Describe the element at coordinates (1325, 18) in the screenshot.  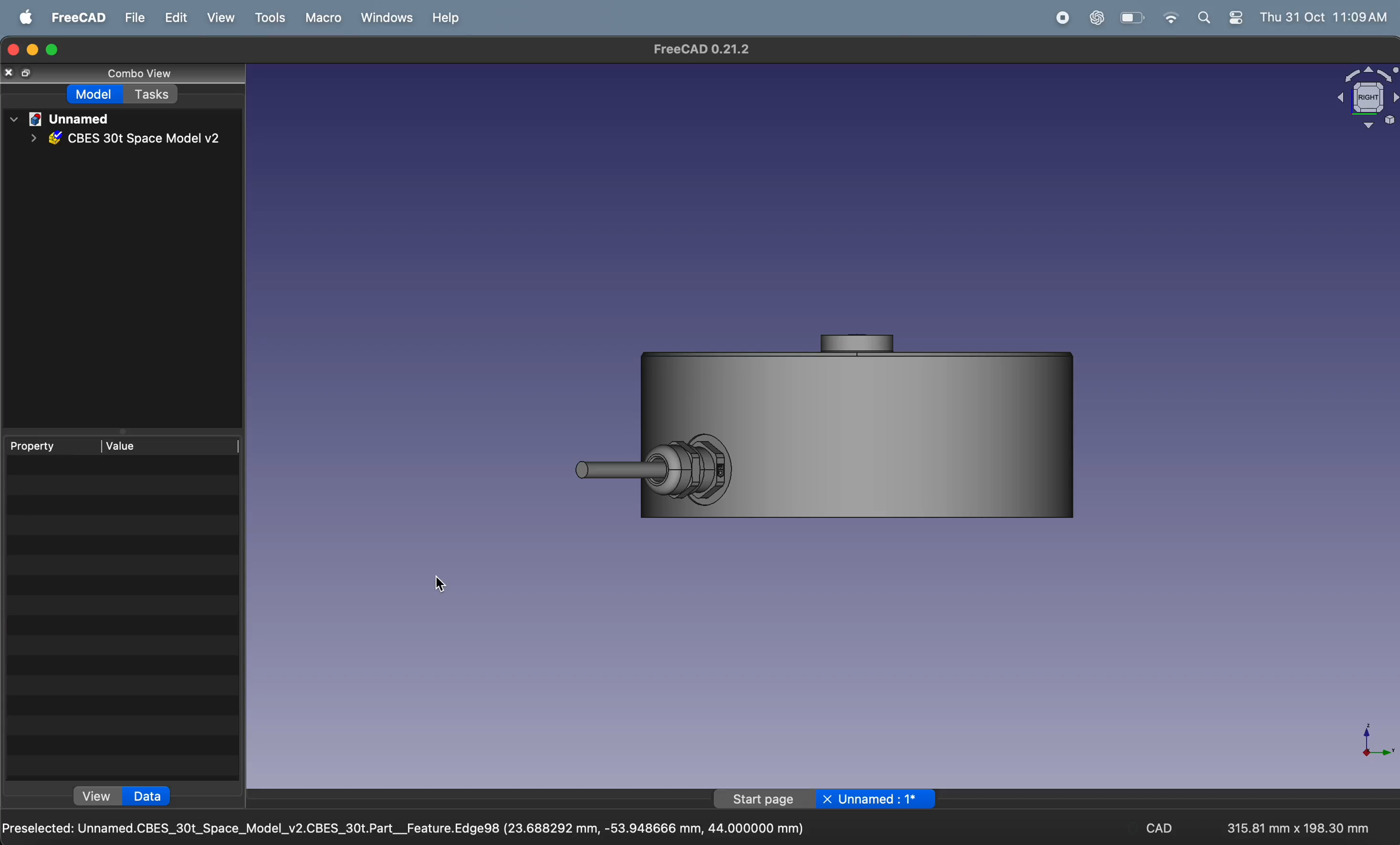
I see `Thu 31 Oct 11:09 AM` at that location.